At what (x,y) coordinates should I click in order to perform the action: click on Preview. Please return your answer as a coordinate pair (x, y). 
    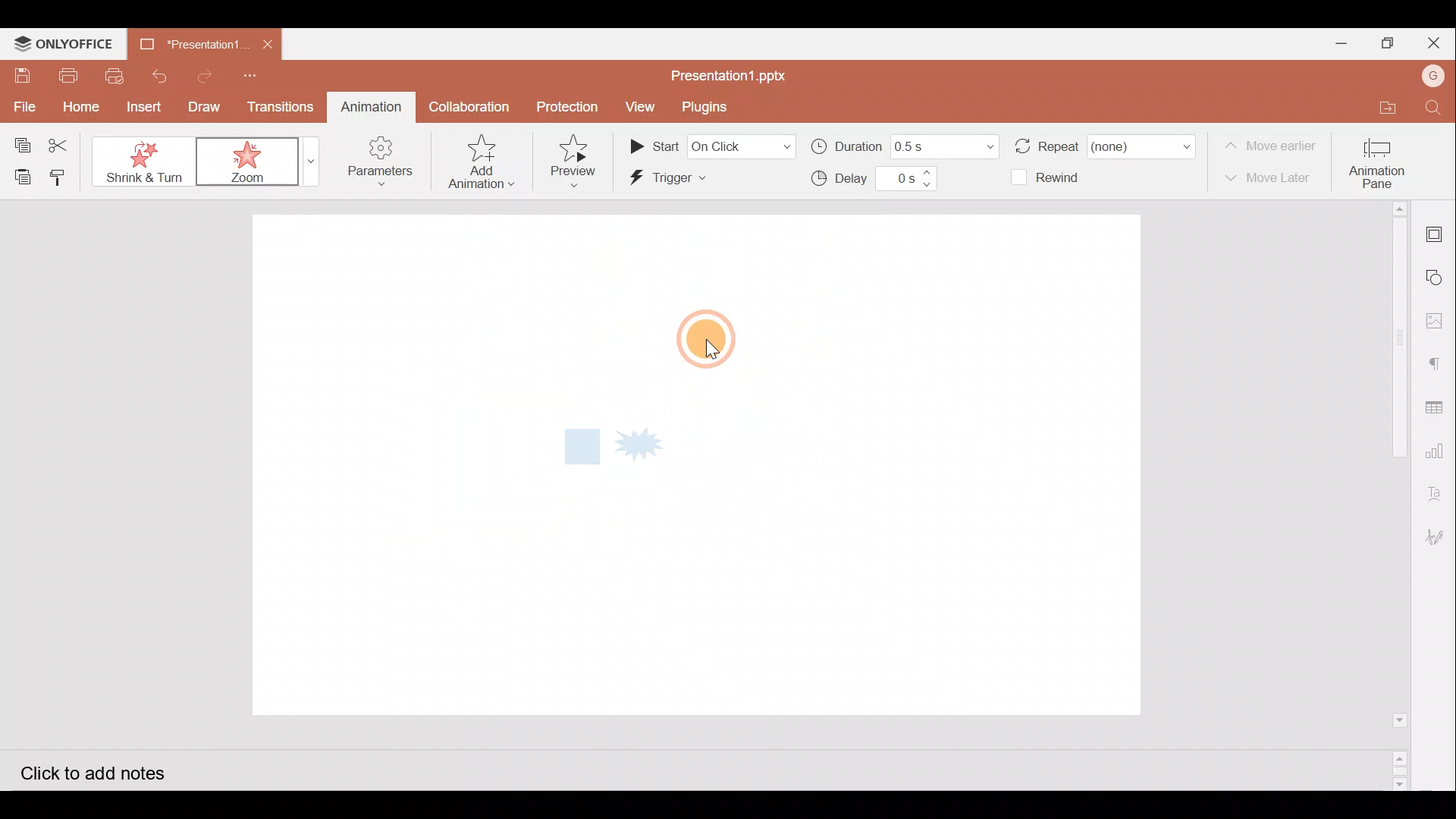
    Looking at the image, I should click on (574, 155).